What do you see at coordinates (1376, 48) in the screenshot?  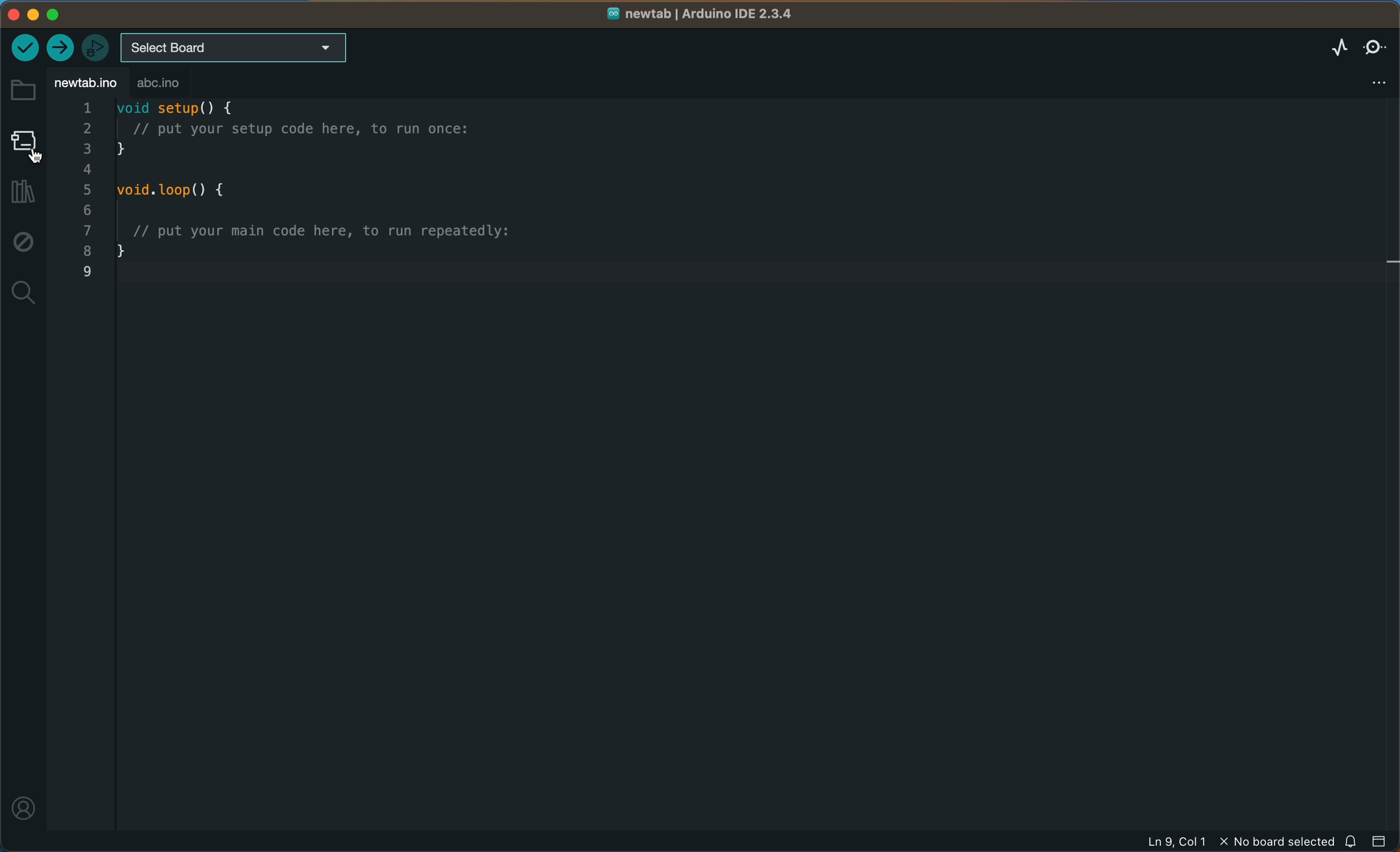 I see `serial monitor` at bounding box center [1376, 48].